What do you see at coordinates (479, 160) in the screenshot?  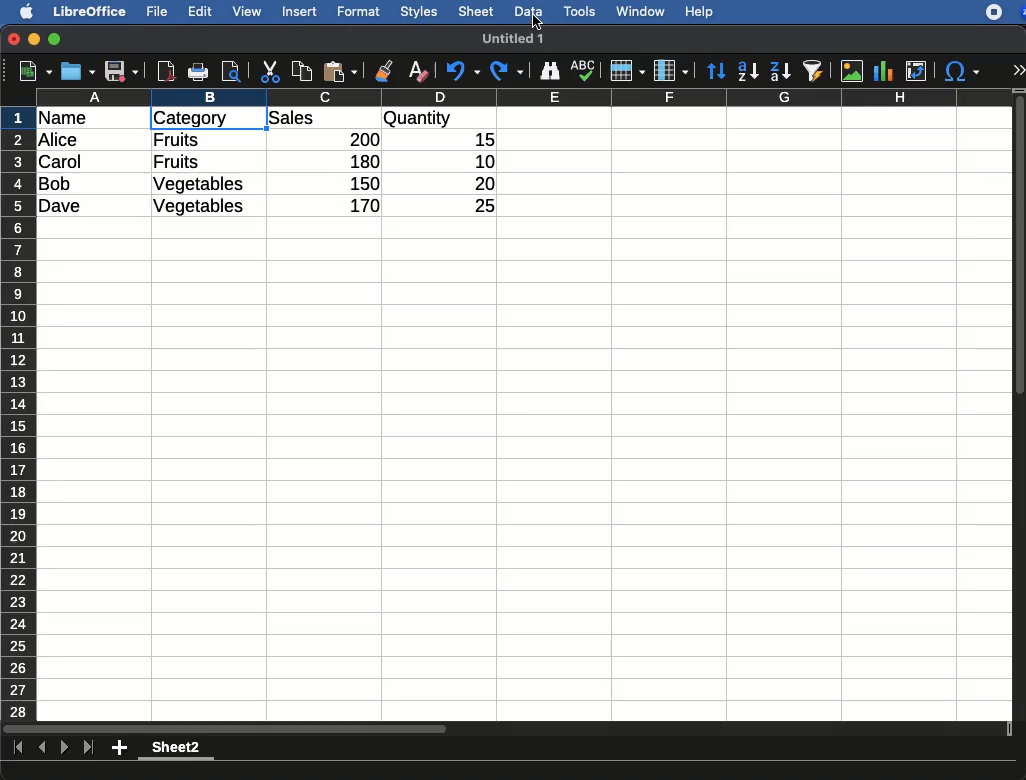 I see `10` at bounding box center [479, 160].